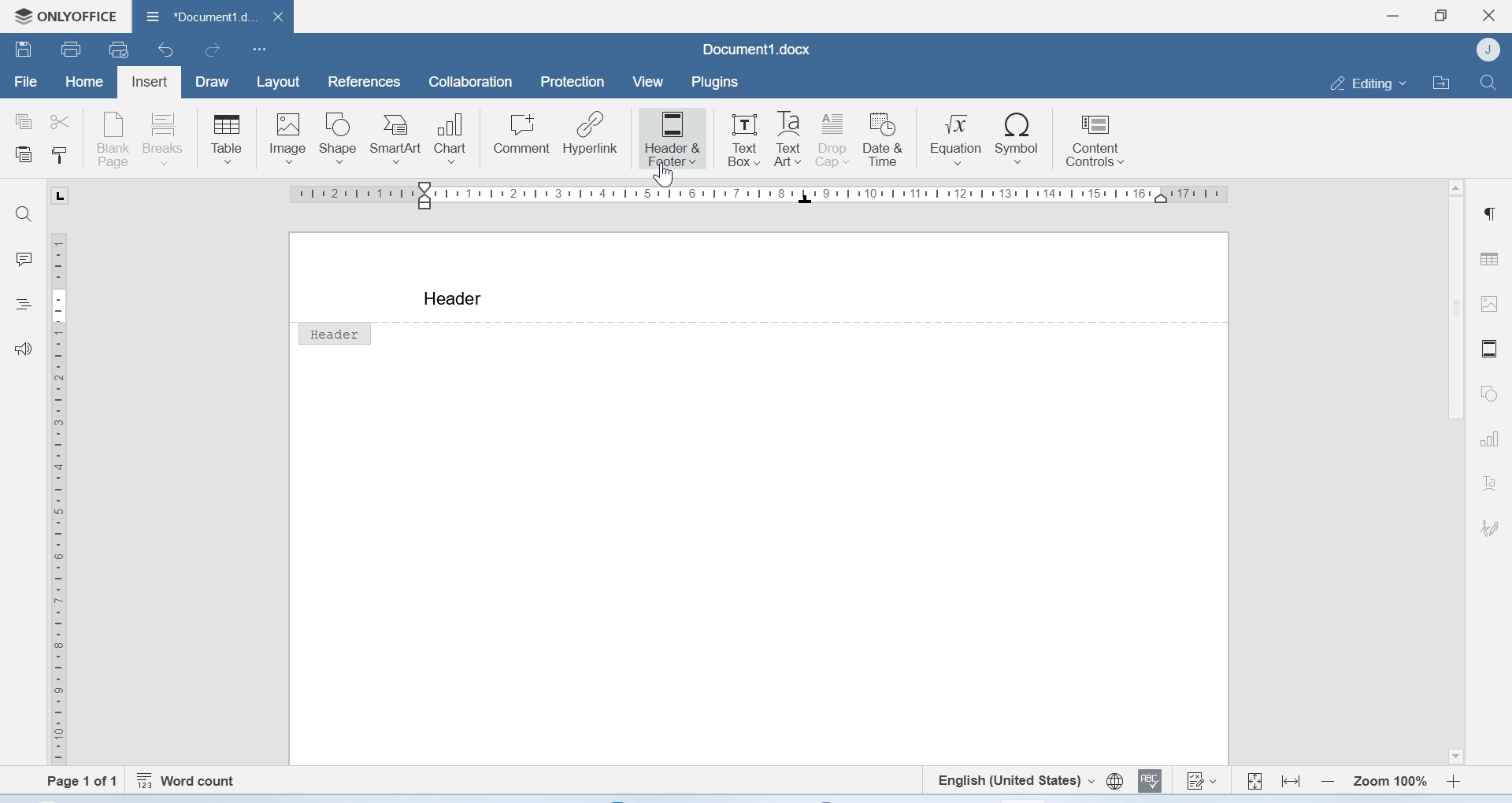 The width and height of the screenshot is (1512, 803). Describe the element at coordinates (1290, 779) in the screenshot. I see `Fit to width` at that location.